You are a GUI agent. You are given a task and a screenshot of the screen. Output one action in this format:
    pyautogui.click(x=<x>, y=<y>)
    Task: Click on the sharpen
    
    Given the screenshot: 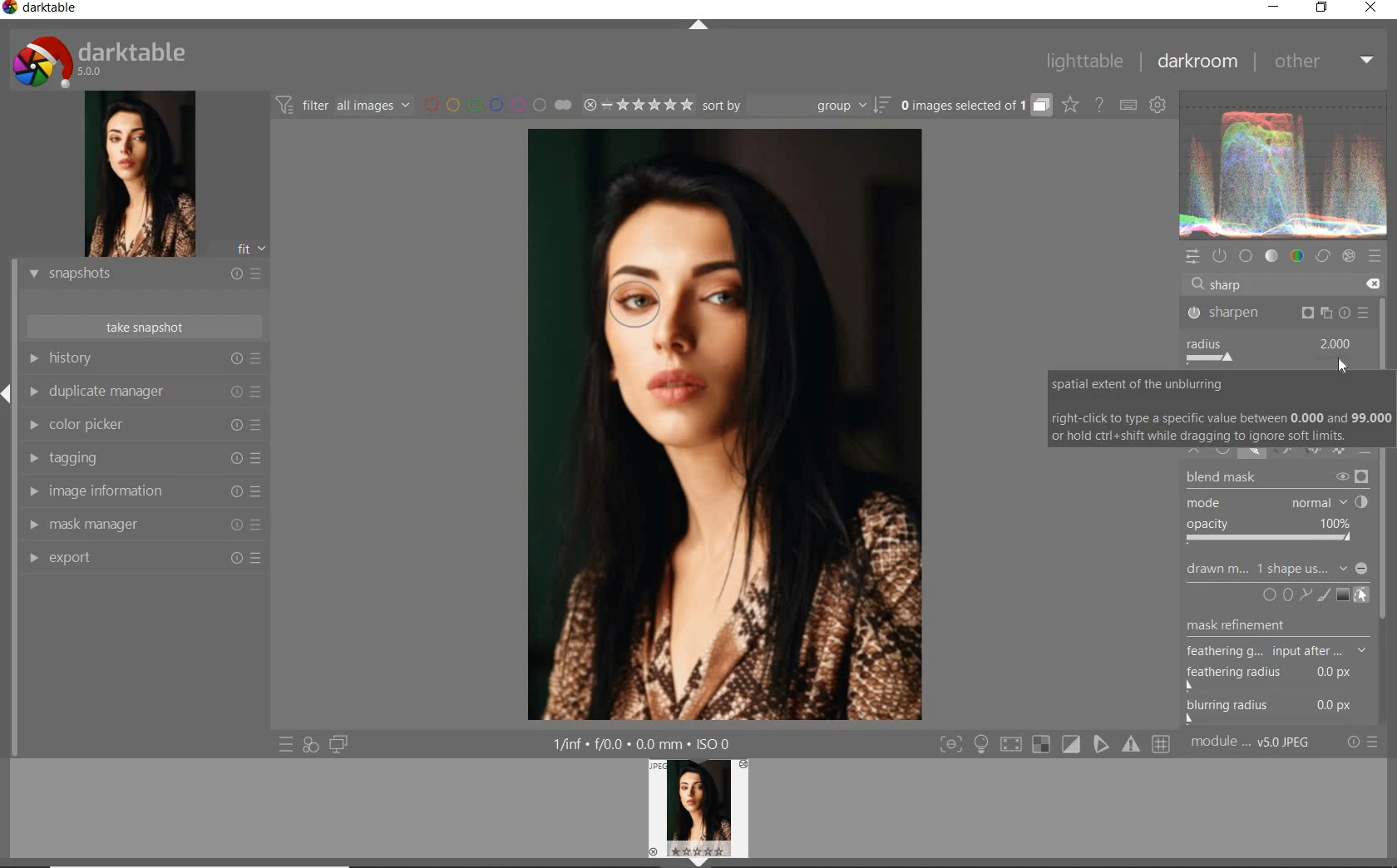 What is the action you would take?
    pyautogui.click(x=1278, y=313)
    